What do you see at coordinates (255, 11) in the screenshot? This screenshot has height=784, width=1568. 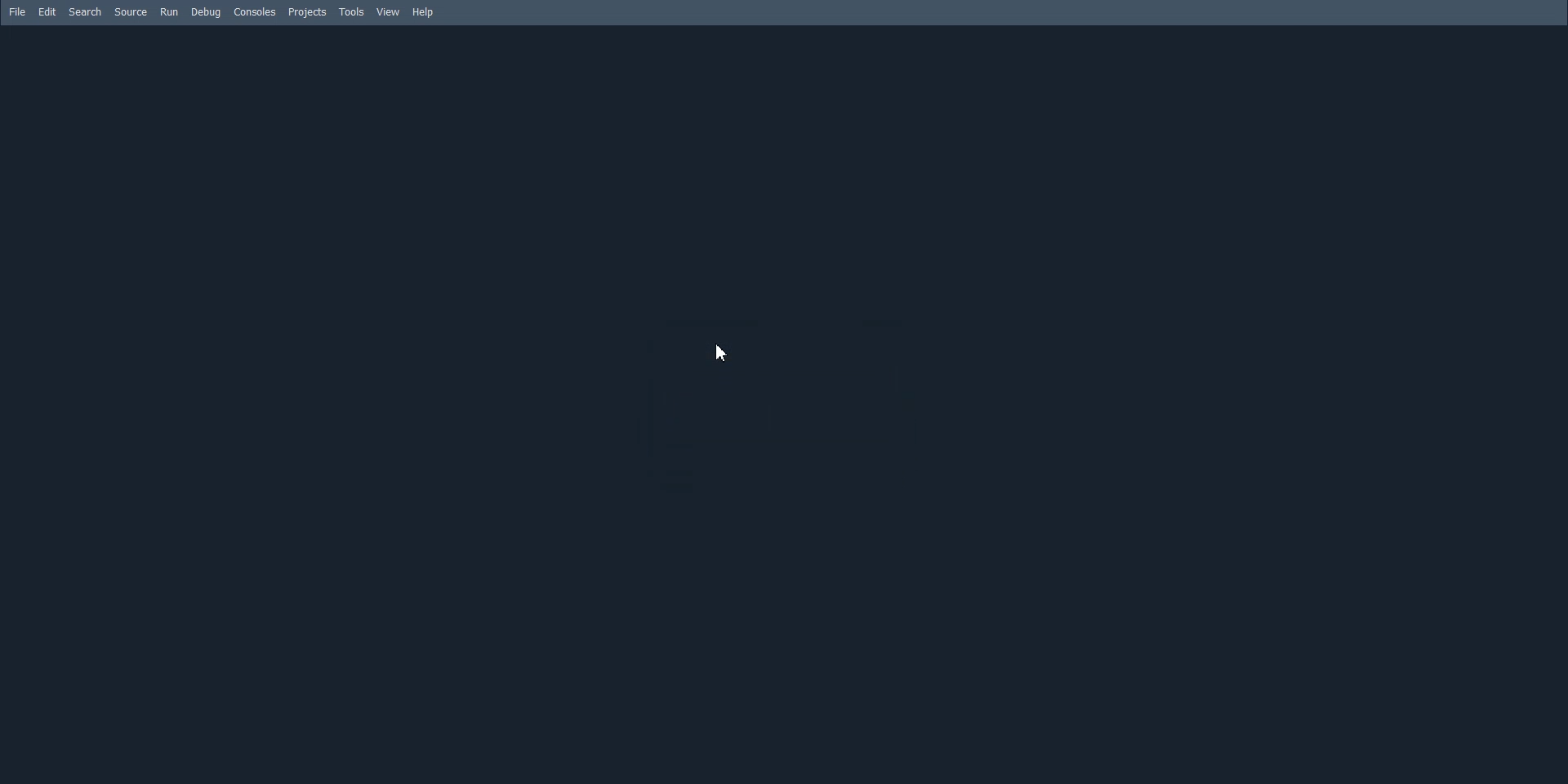 I see `Consoles` at bounding box center [255, 11].